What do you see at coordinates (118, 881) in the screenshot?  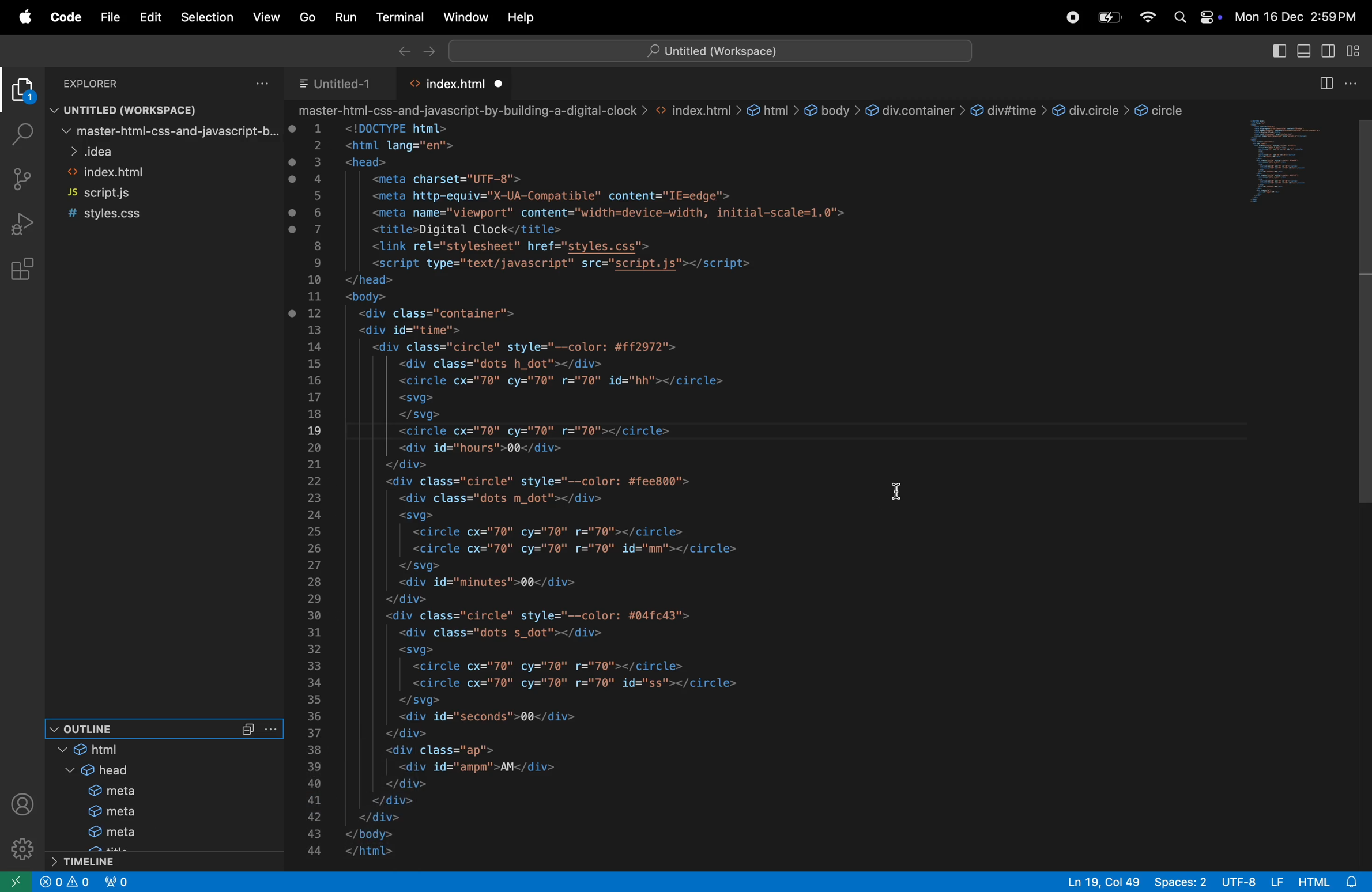 I see `no ports forwarded` at bounding box center [118, 881].